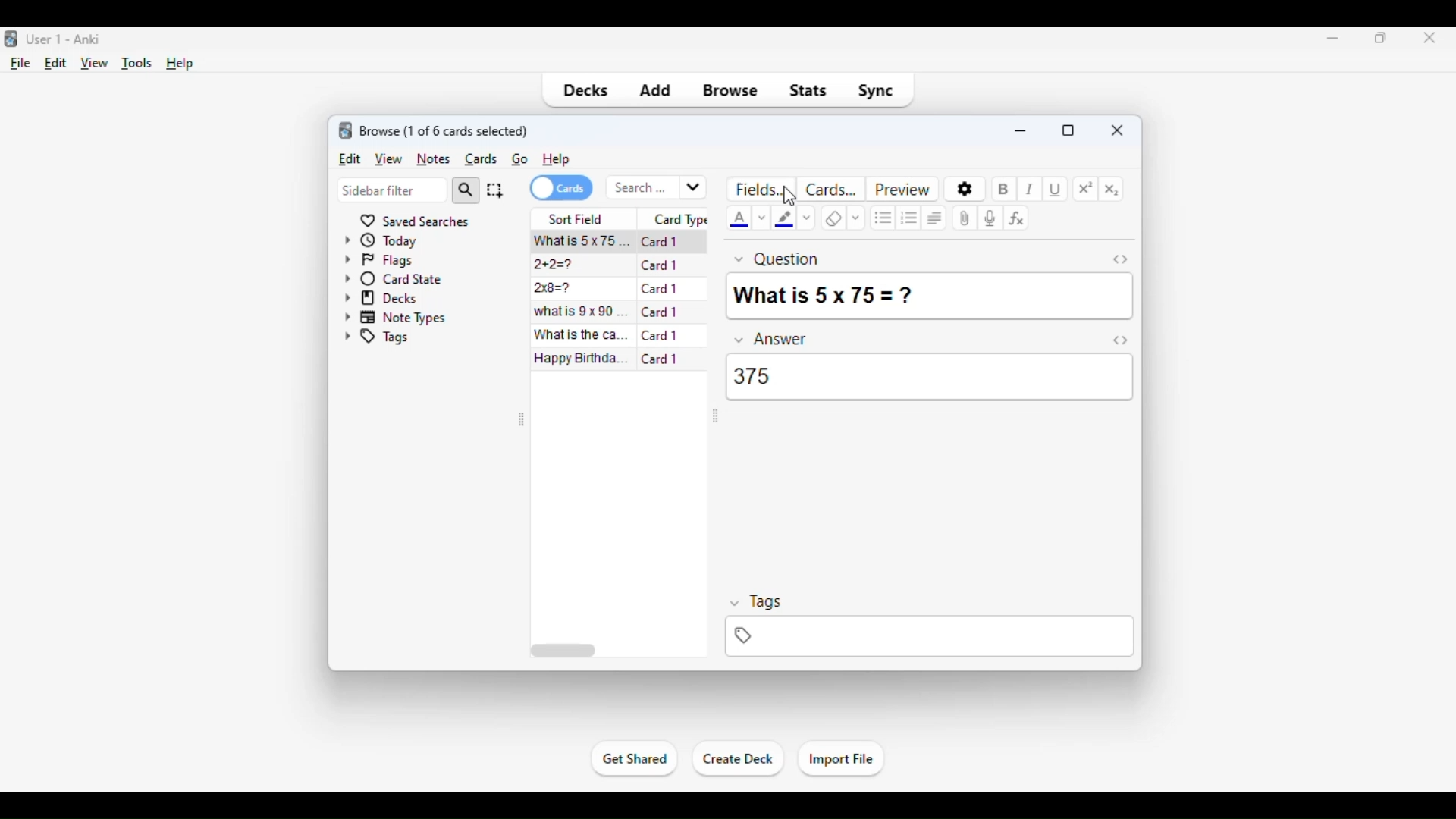  Describe the element at coordinates (551, 265) in the screenshot. I see `2+2=?` at that location.